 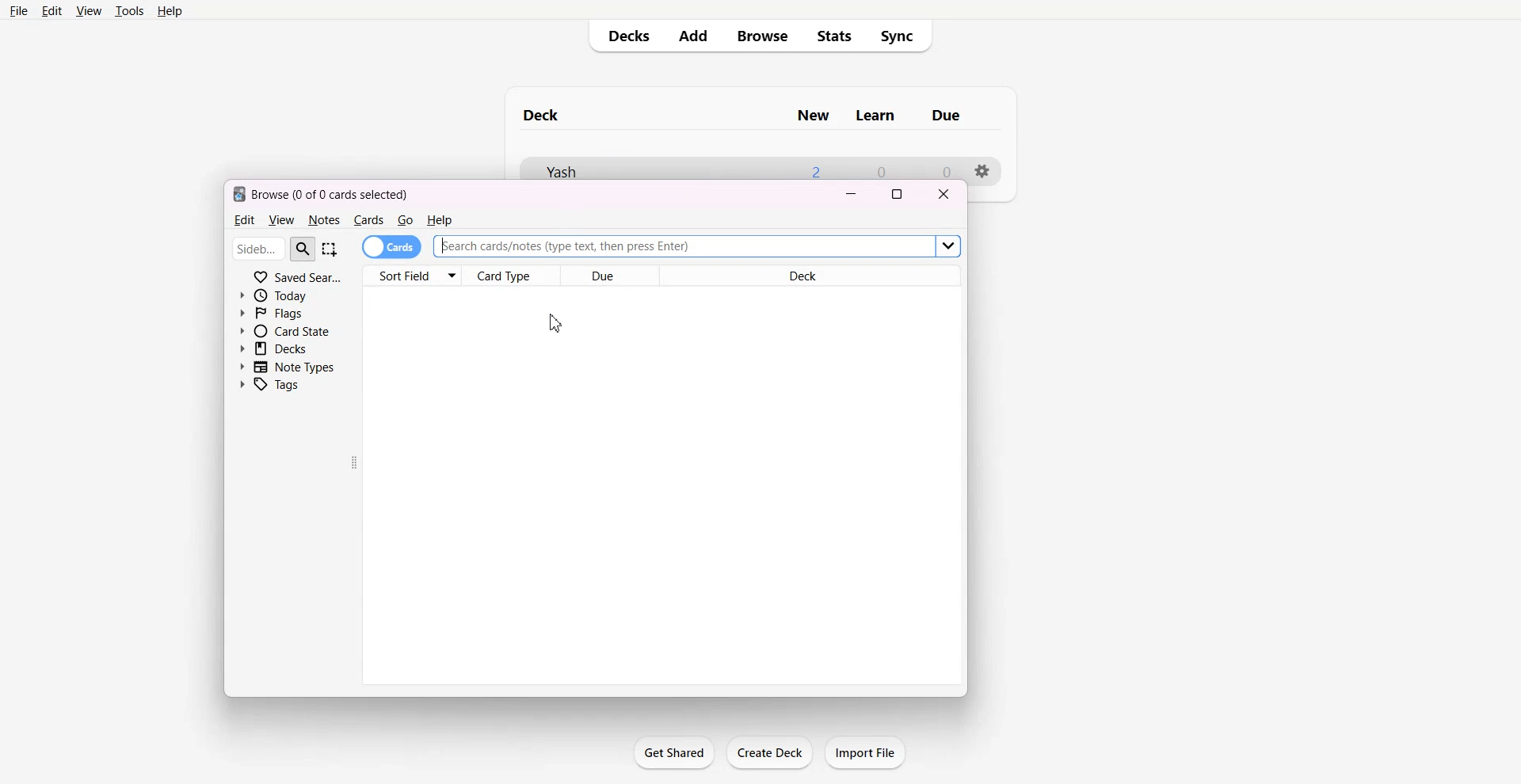 I want to click on Cards, so click(x=368, y=220).